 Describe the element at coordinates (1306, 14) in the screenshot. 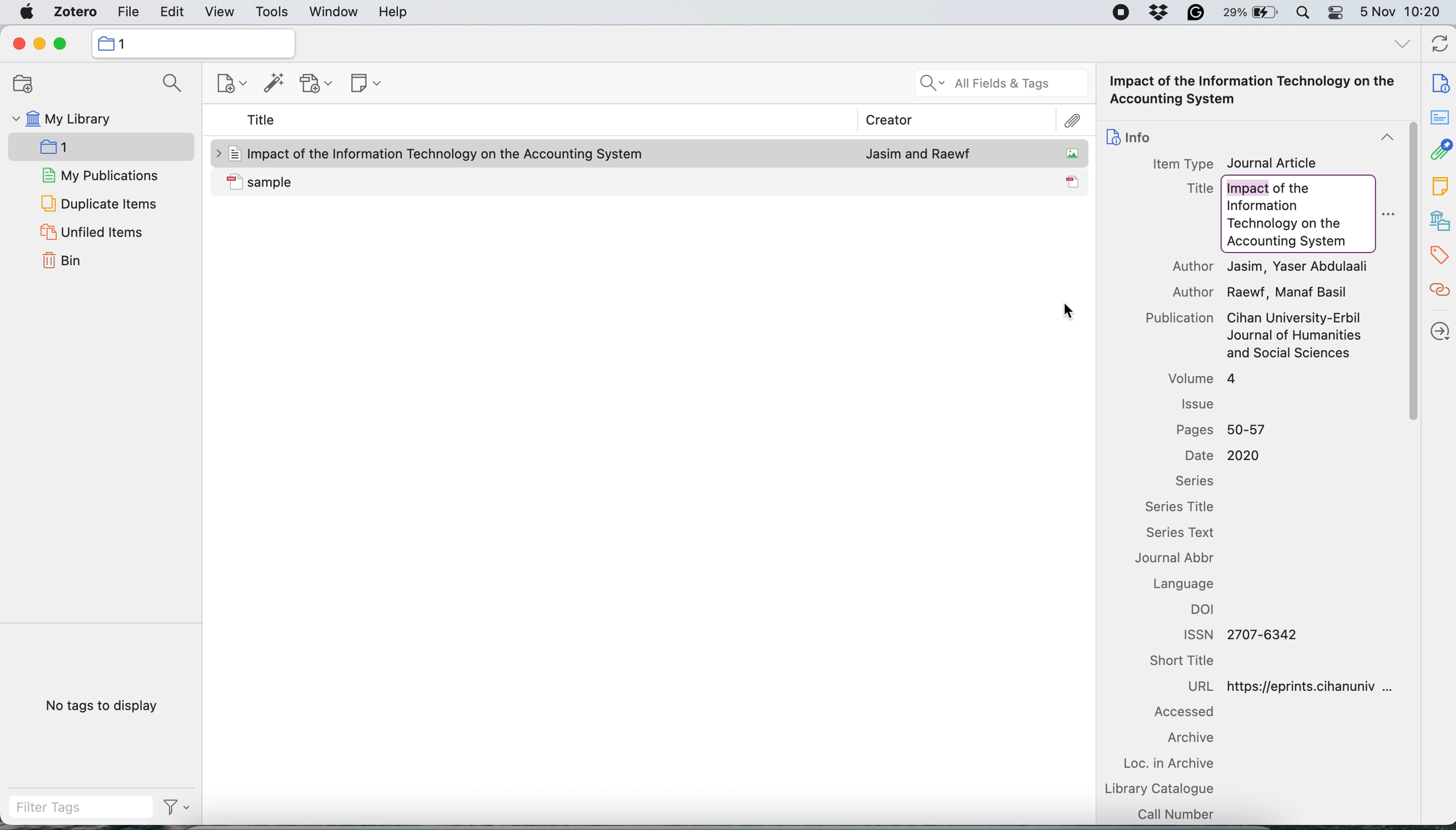

I see `spotlight search` at that location.